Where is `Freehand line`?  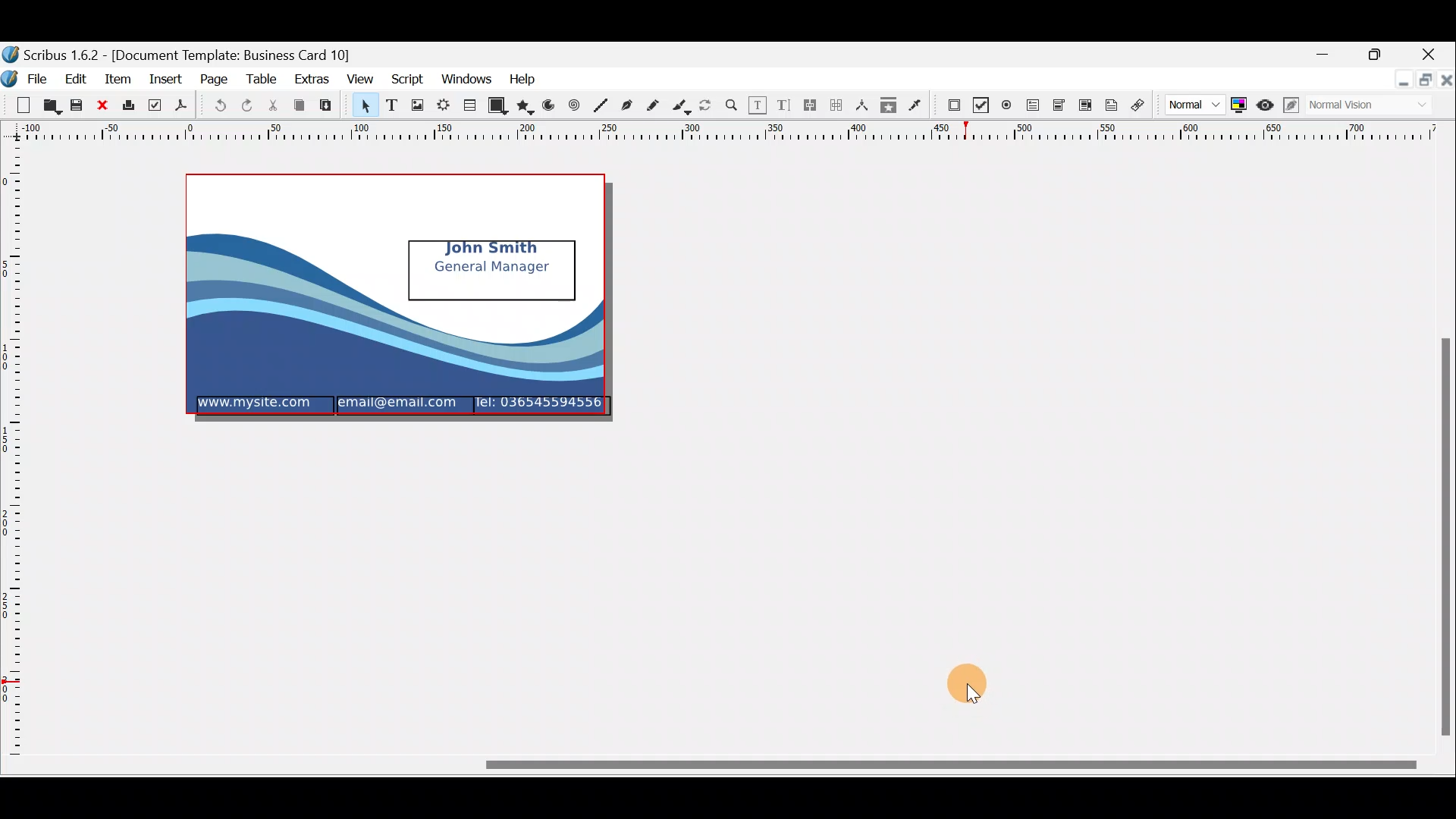 Freehand line is located at coordinates (657, 105).